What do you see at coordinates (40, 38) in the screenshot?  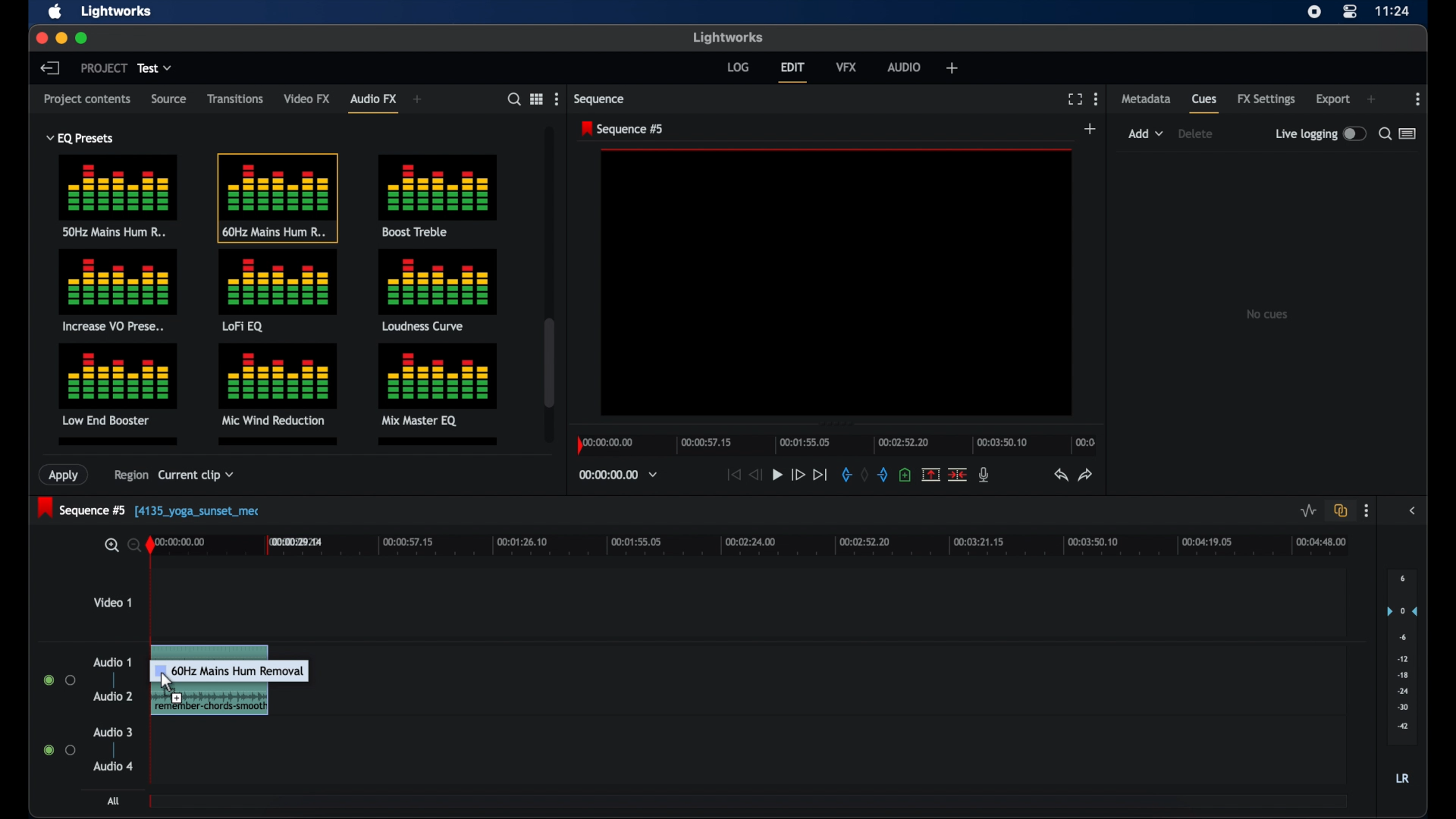 I see `close` at bounding box center [40, 38].